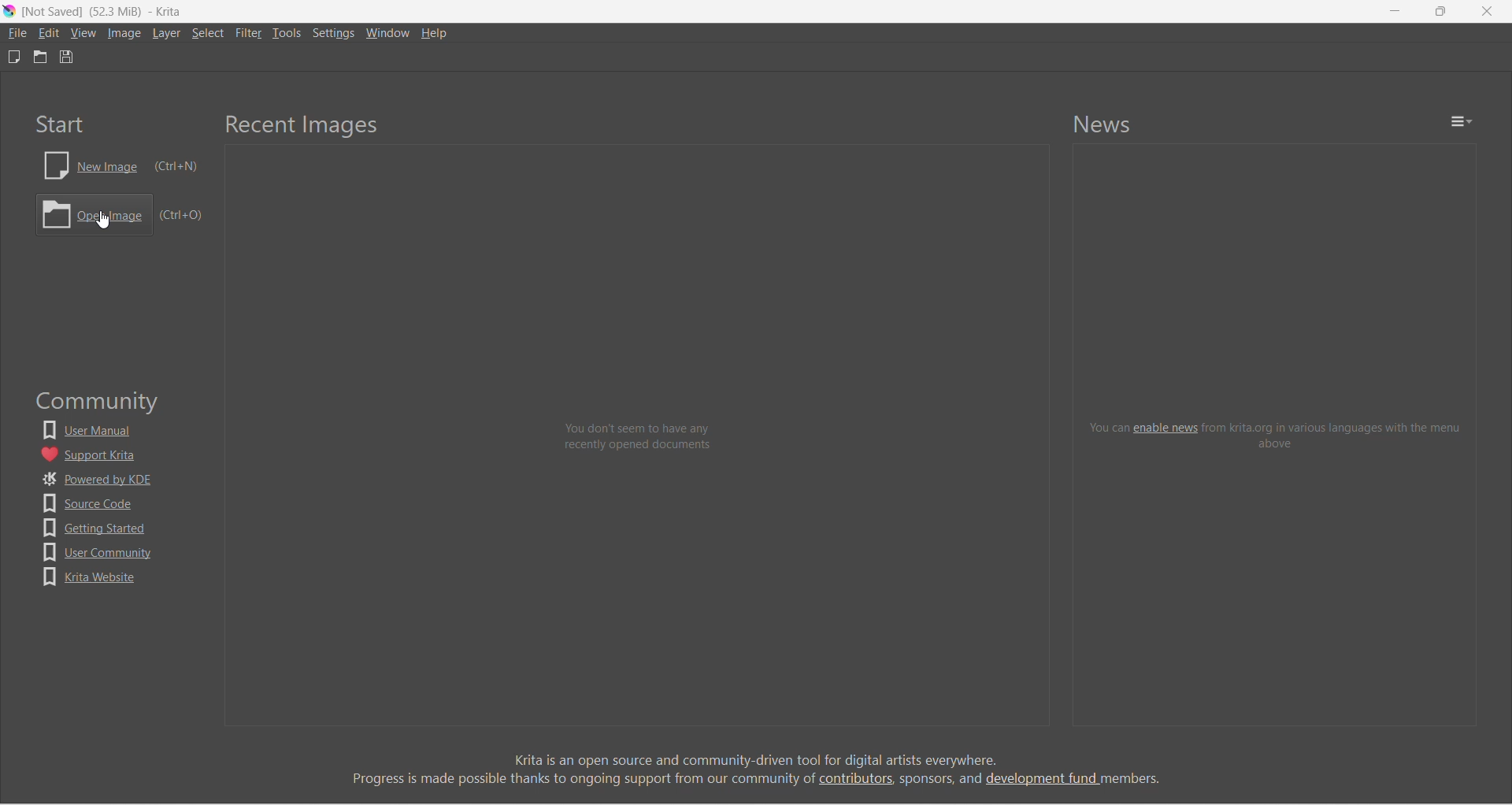  Describe the element at coordinates (1462, 121) in the screenshot. I see `news option` at that location.